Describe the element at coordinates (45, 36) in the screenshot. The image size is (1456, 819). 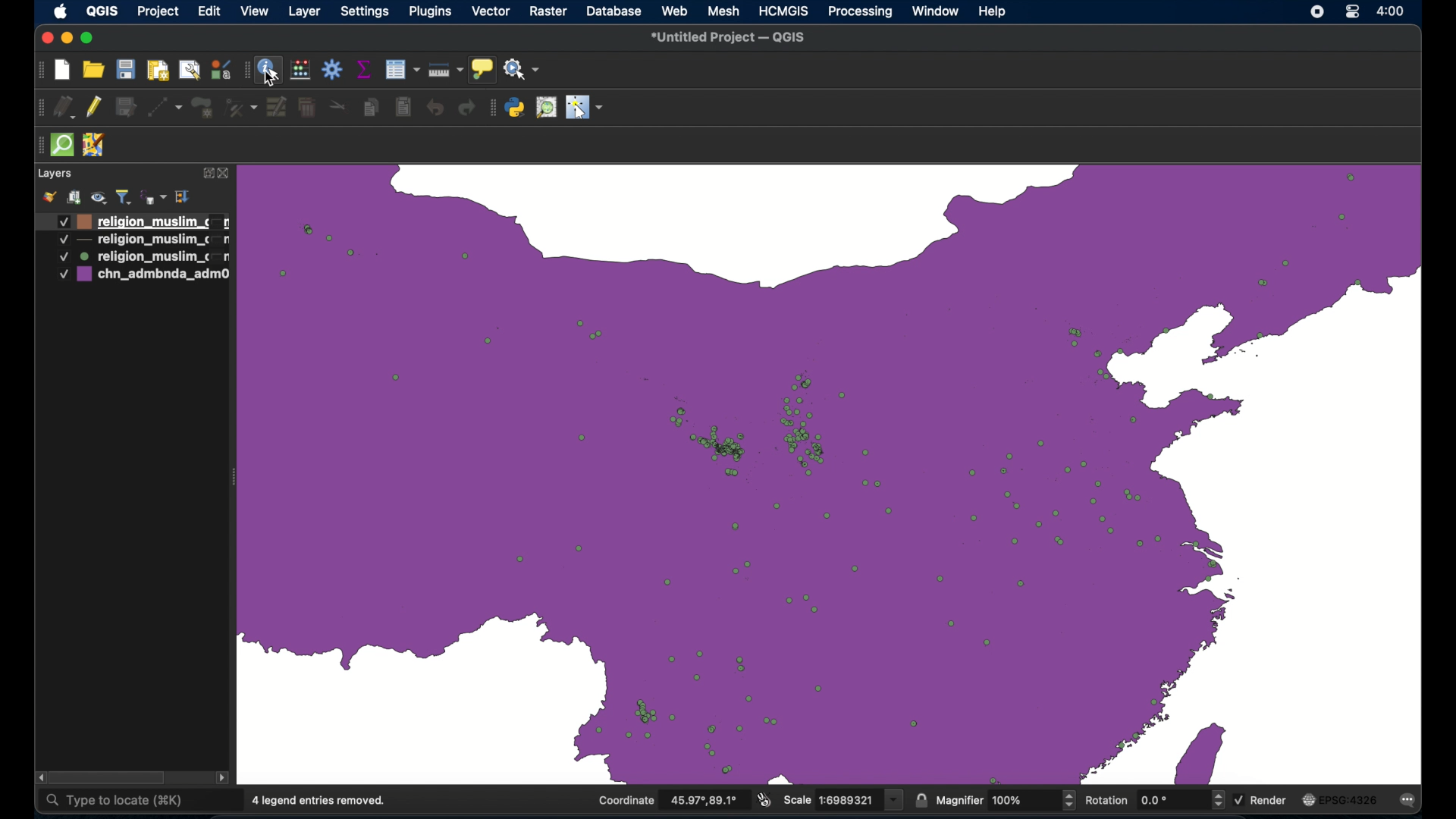
I see `close` at that location.